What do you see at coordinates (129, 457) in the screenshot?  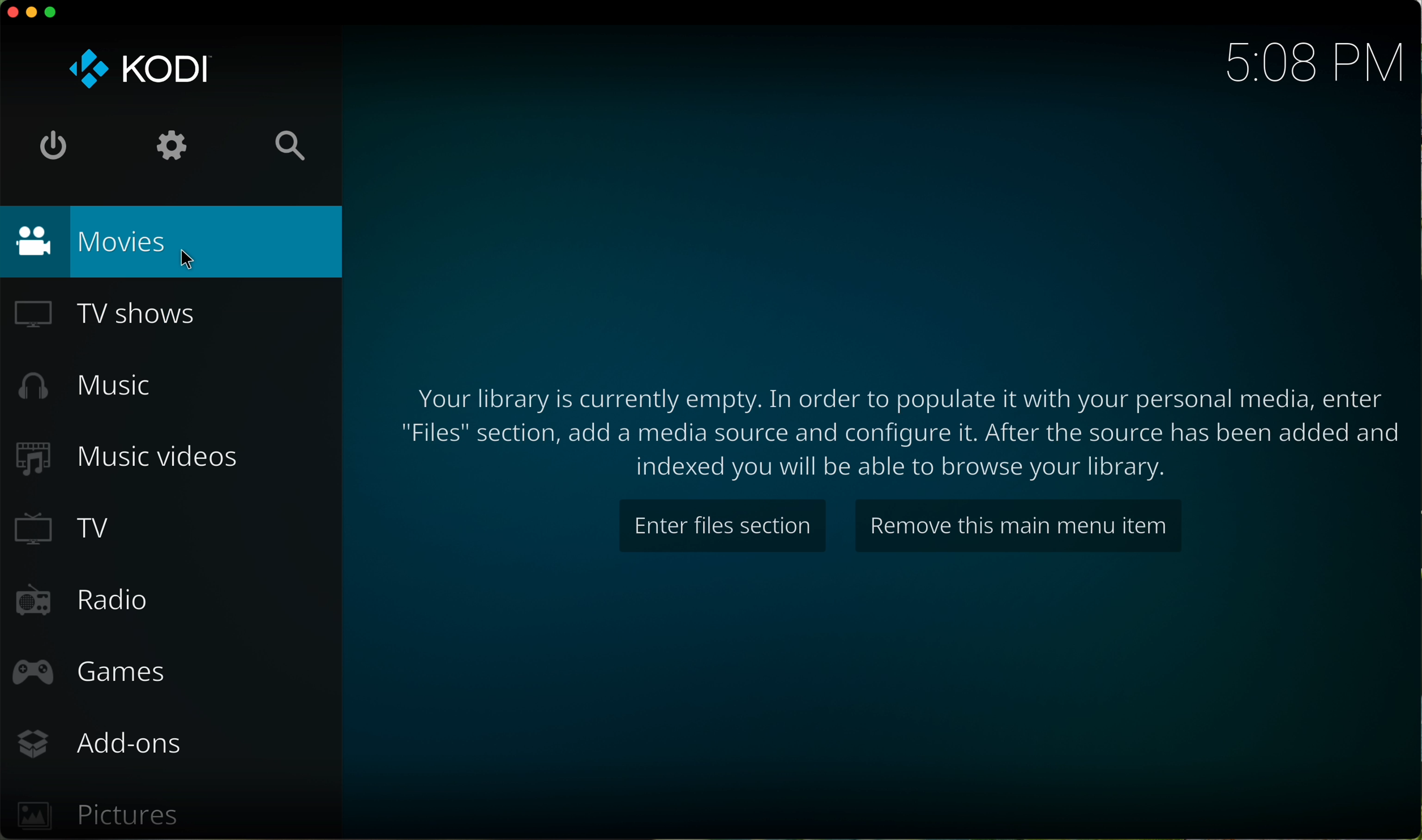 I see `music videos` at bounding box center [129, 457].